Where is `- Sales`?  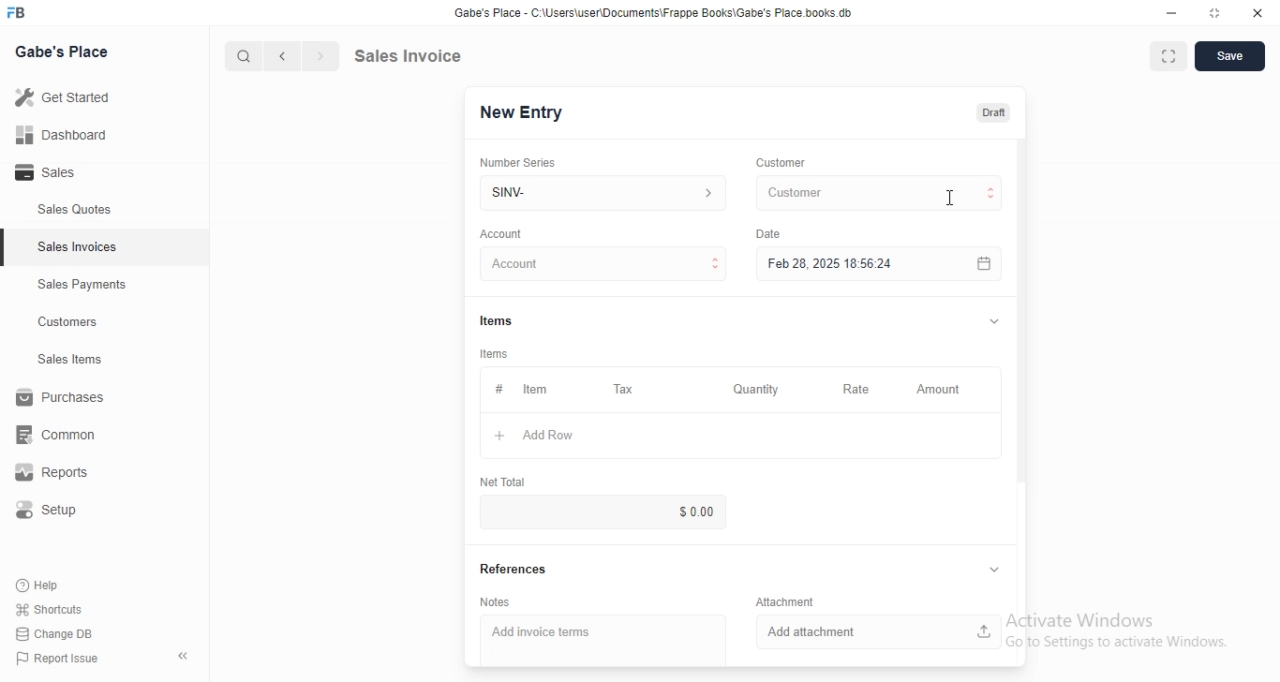 - Sales is located at coordinates (64, 175).